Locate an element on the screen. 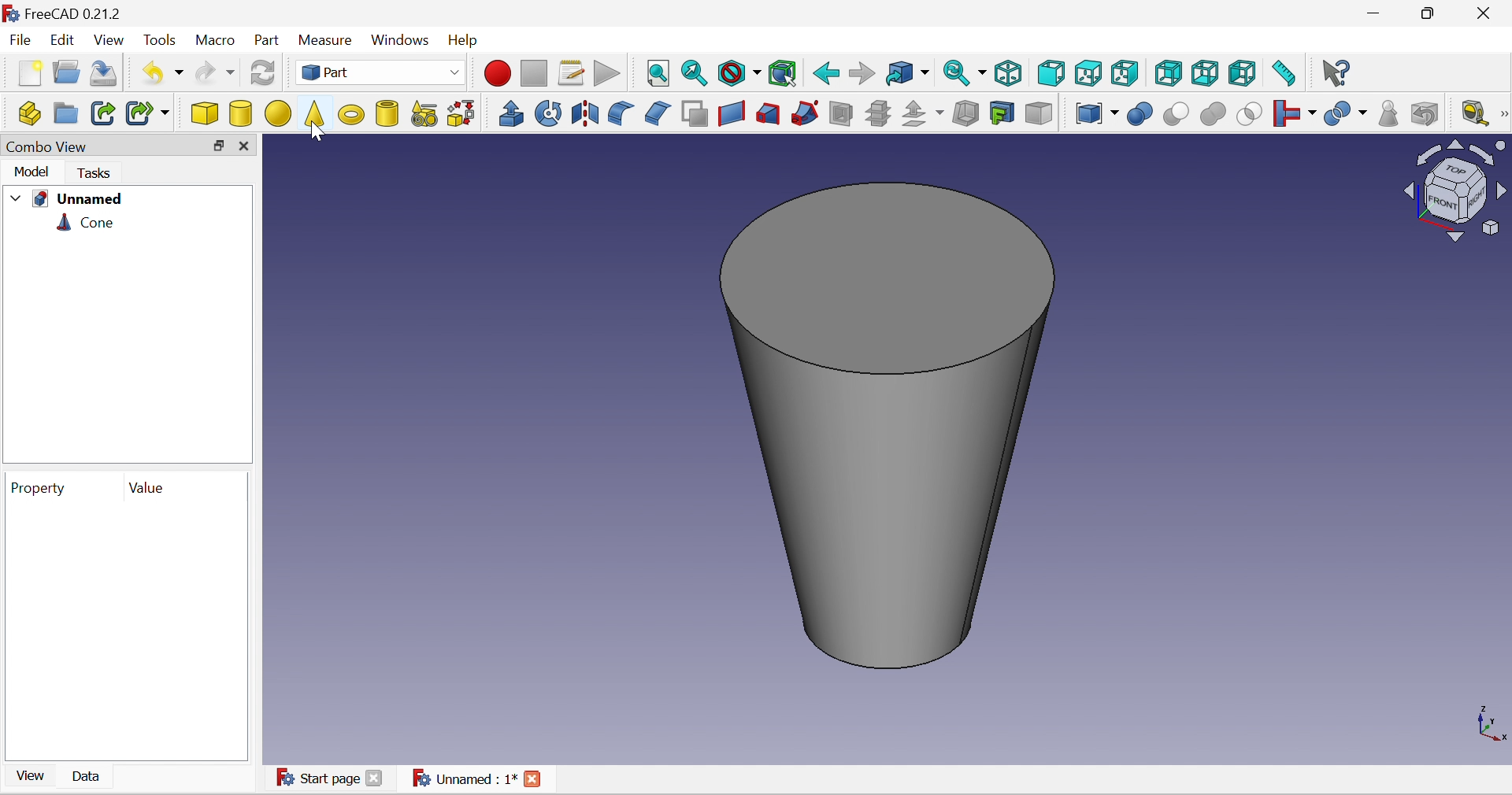 Image resolution: width=1512 pixels, height=795 pixels. Offset: is located at coordinates (922, 114).